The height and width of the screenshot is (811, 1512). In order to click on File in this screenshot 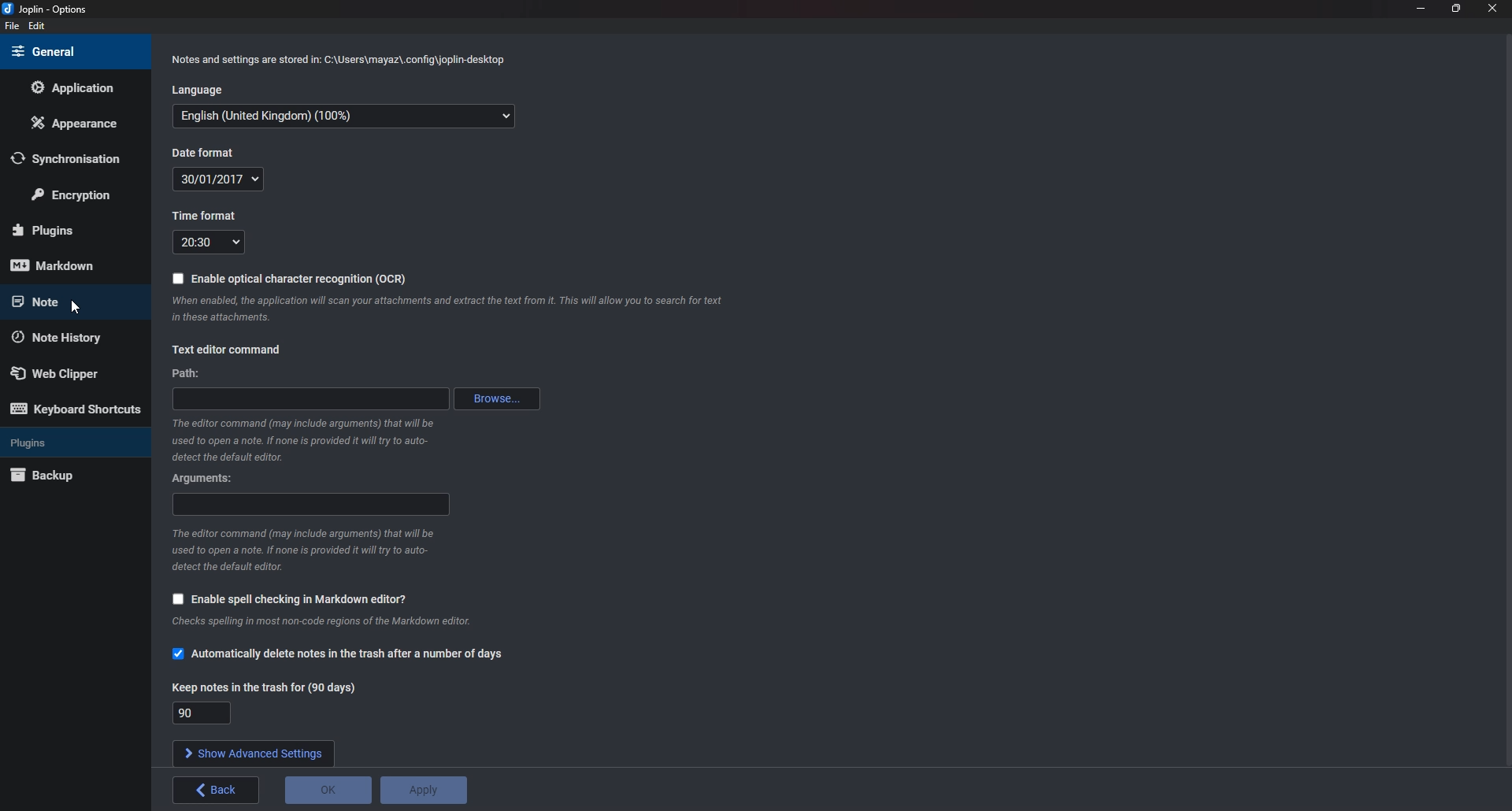, I will do `click(12, 27)`.